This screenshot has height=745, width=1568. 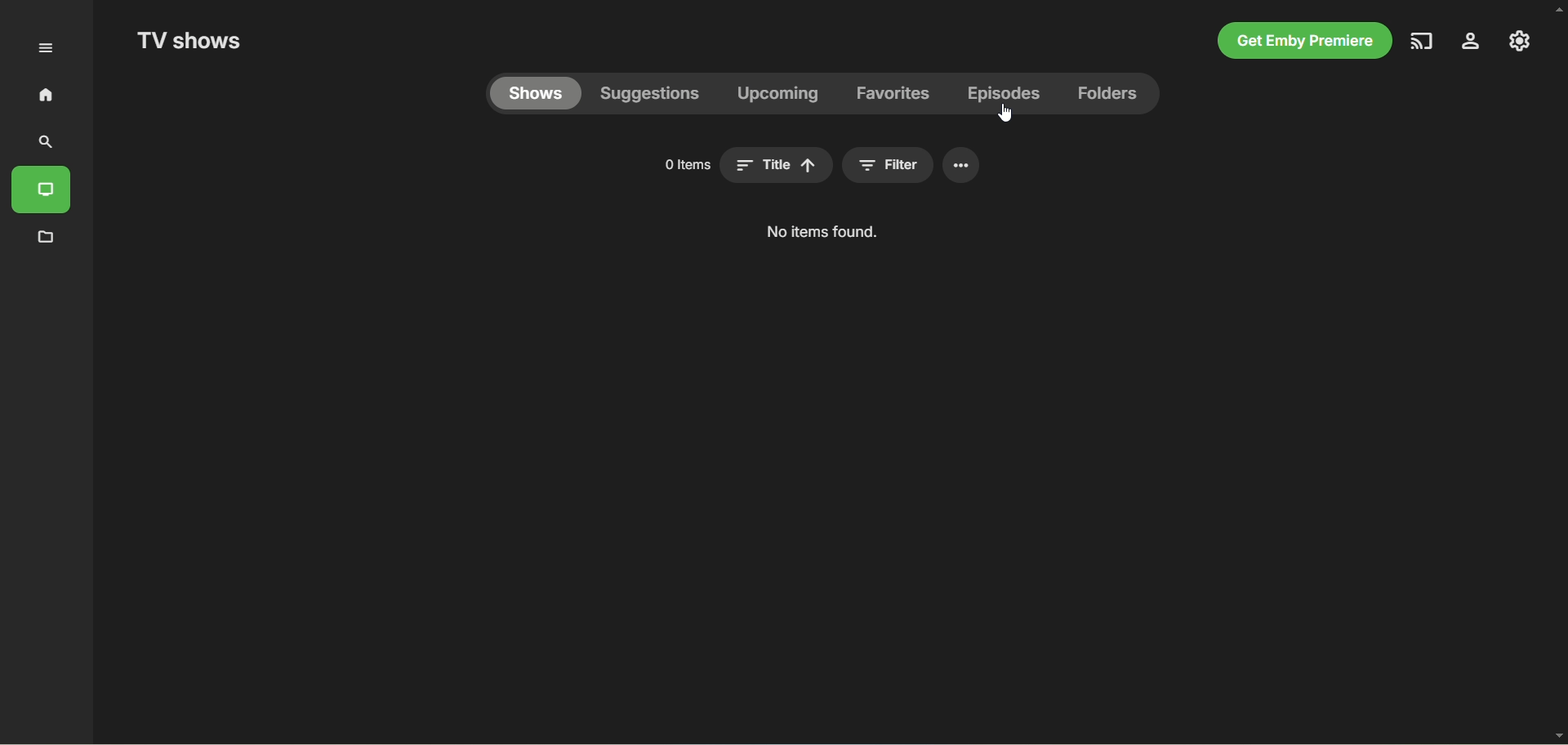 I want to click on get emby premier, so click(x=1304, y=41).